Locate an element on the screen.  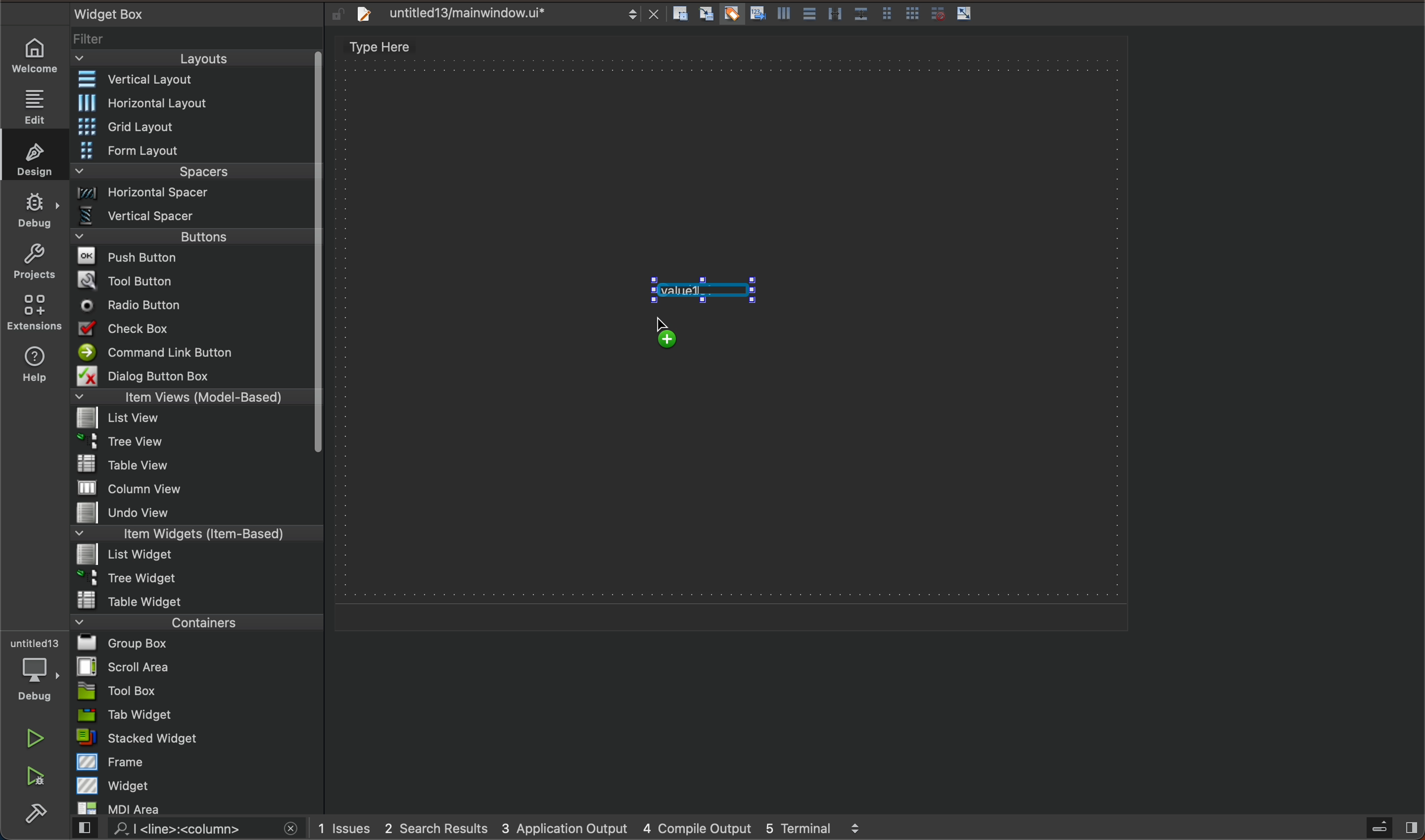
tree widget is located at coordinates (198, 579).